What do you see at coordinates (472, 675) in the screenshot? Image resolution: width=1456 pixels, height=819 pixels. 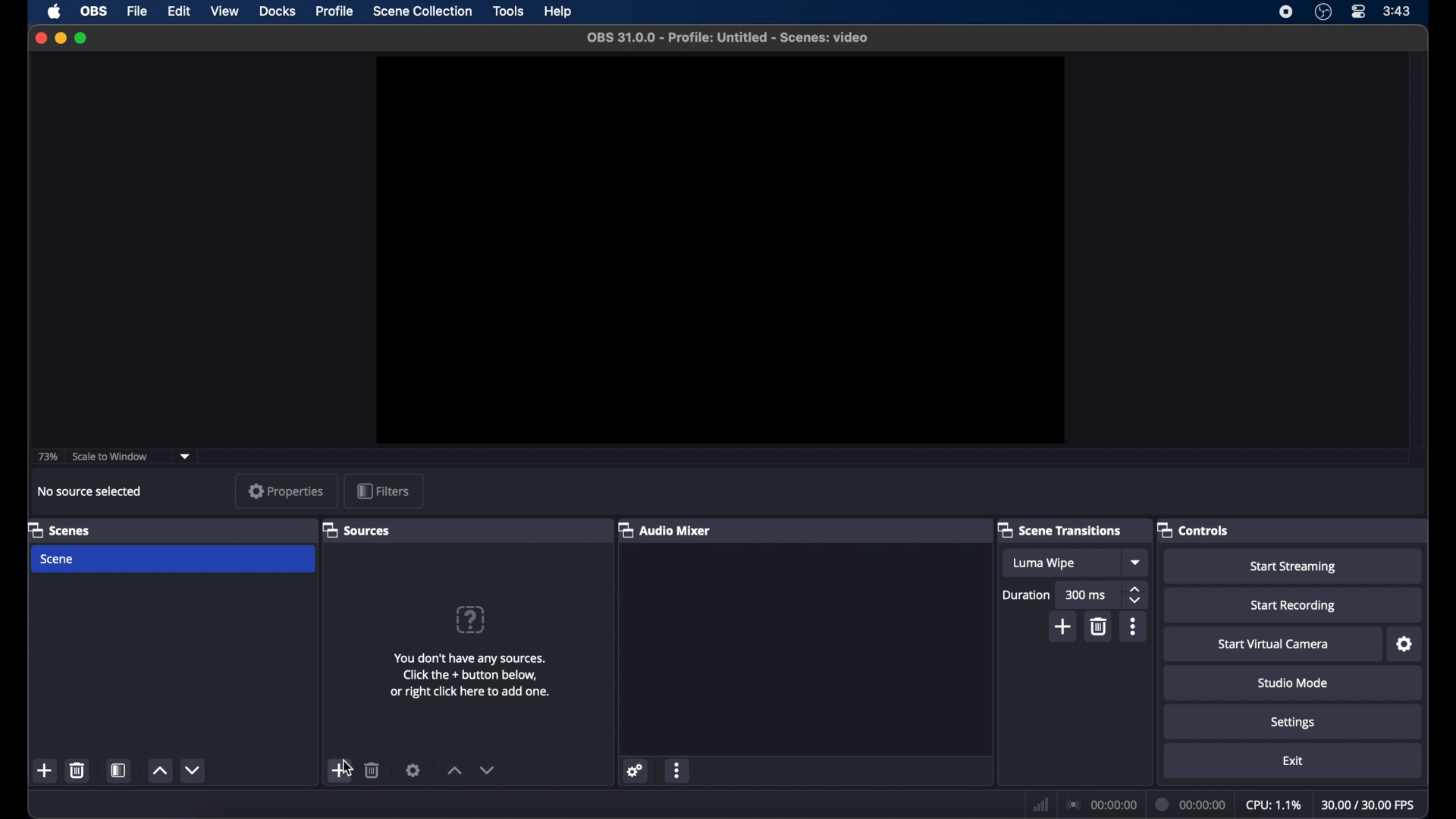 I see `You don't have any sources.
Click the + button below,
or right click here to add one.` at bounding box center [472, 675].